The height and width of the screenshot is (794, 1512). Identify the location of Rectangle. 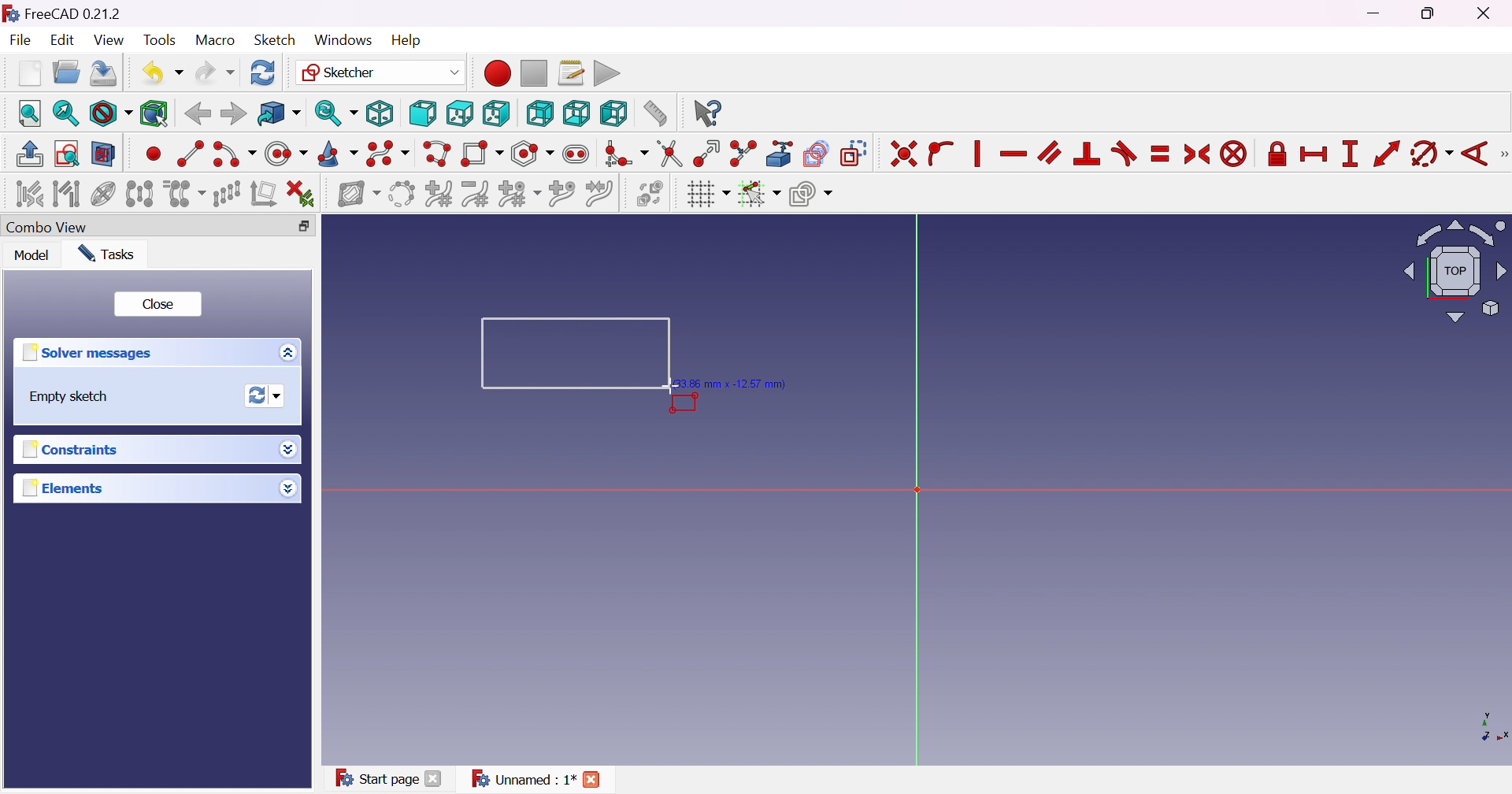
(565, 351).